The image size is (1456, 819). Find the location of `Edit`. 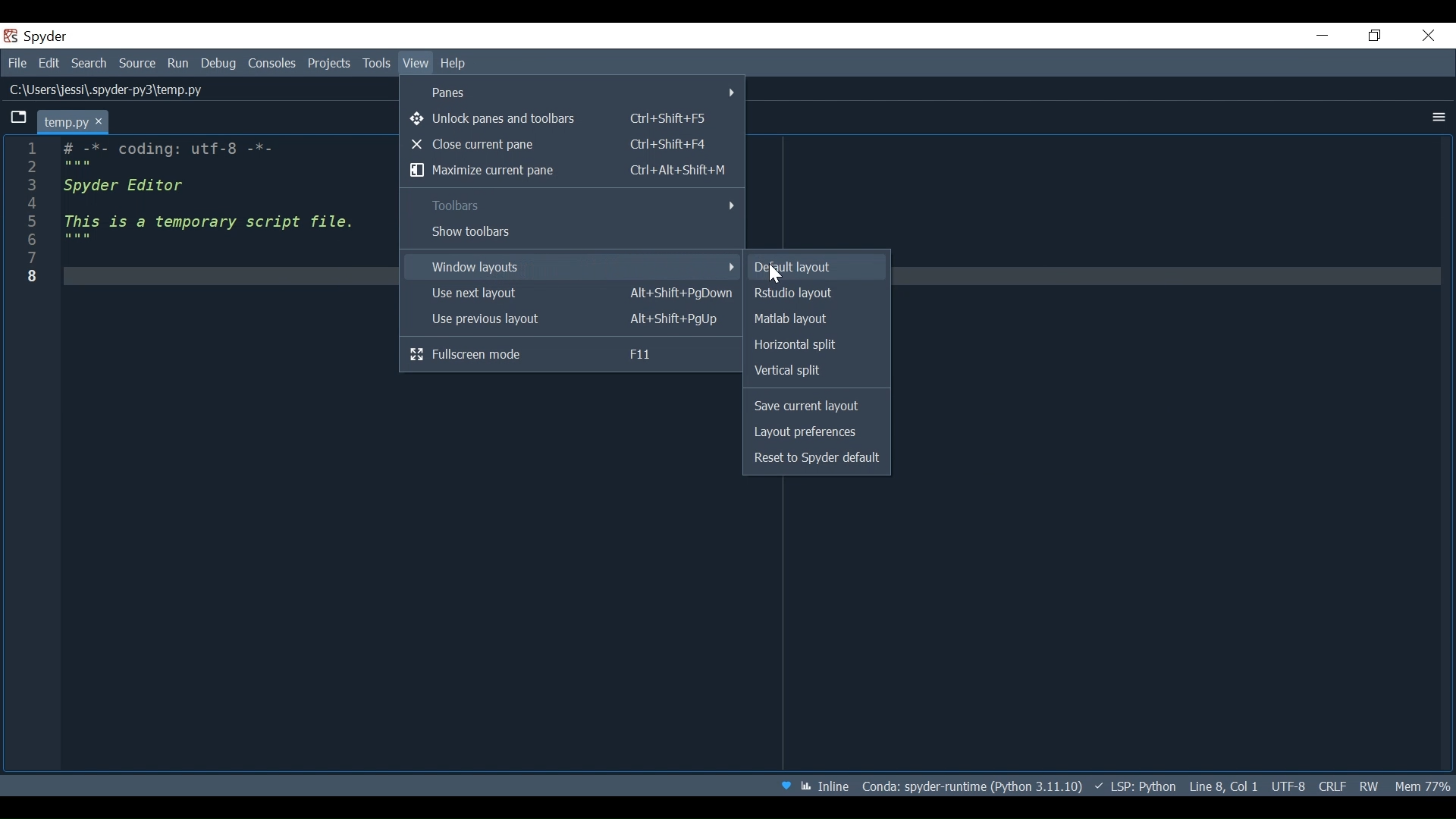

Edit is located at coordinates (51, 64).